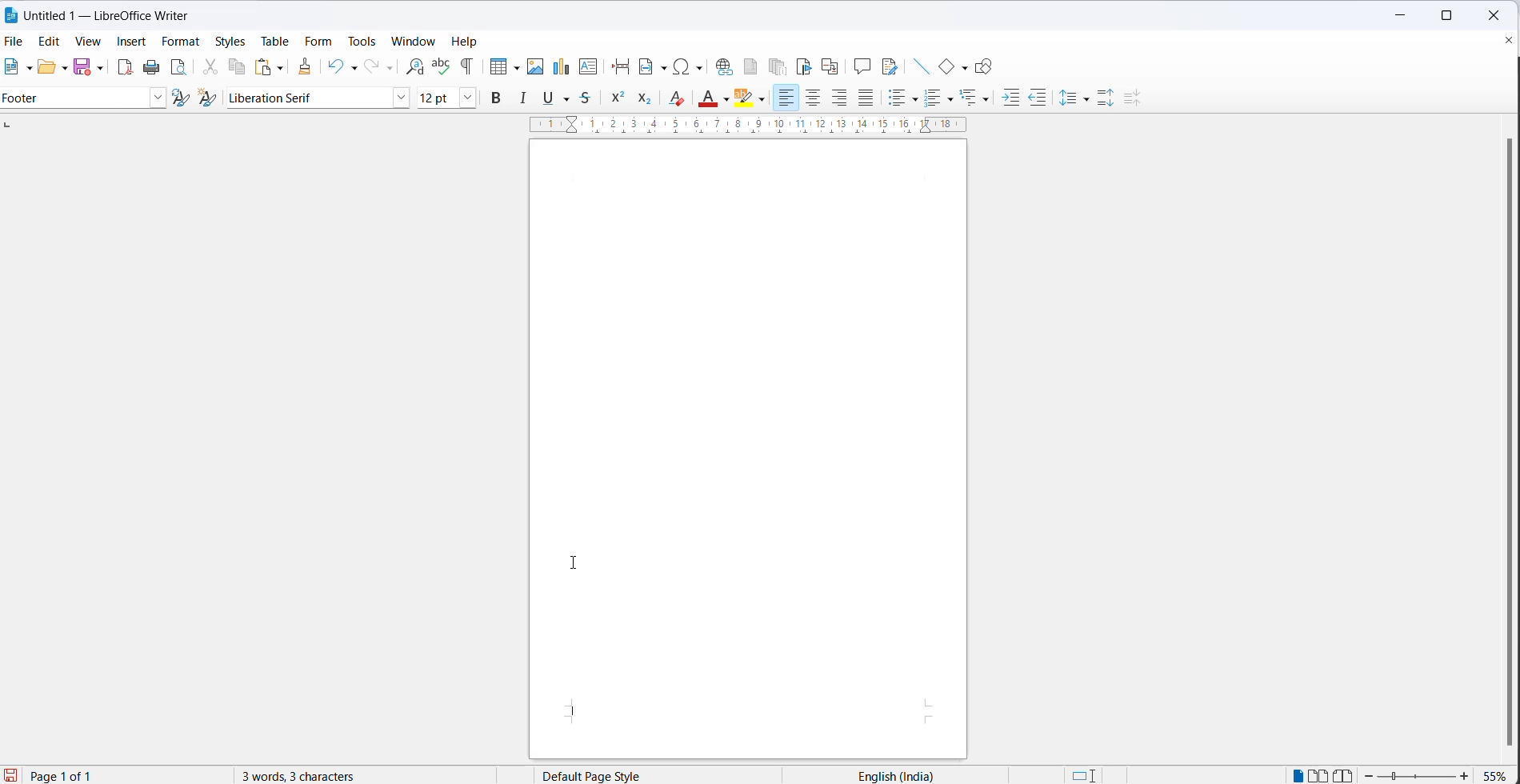  Describe the element at coordinates (437, 98) in the screenshot. I see `font size` at that location.